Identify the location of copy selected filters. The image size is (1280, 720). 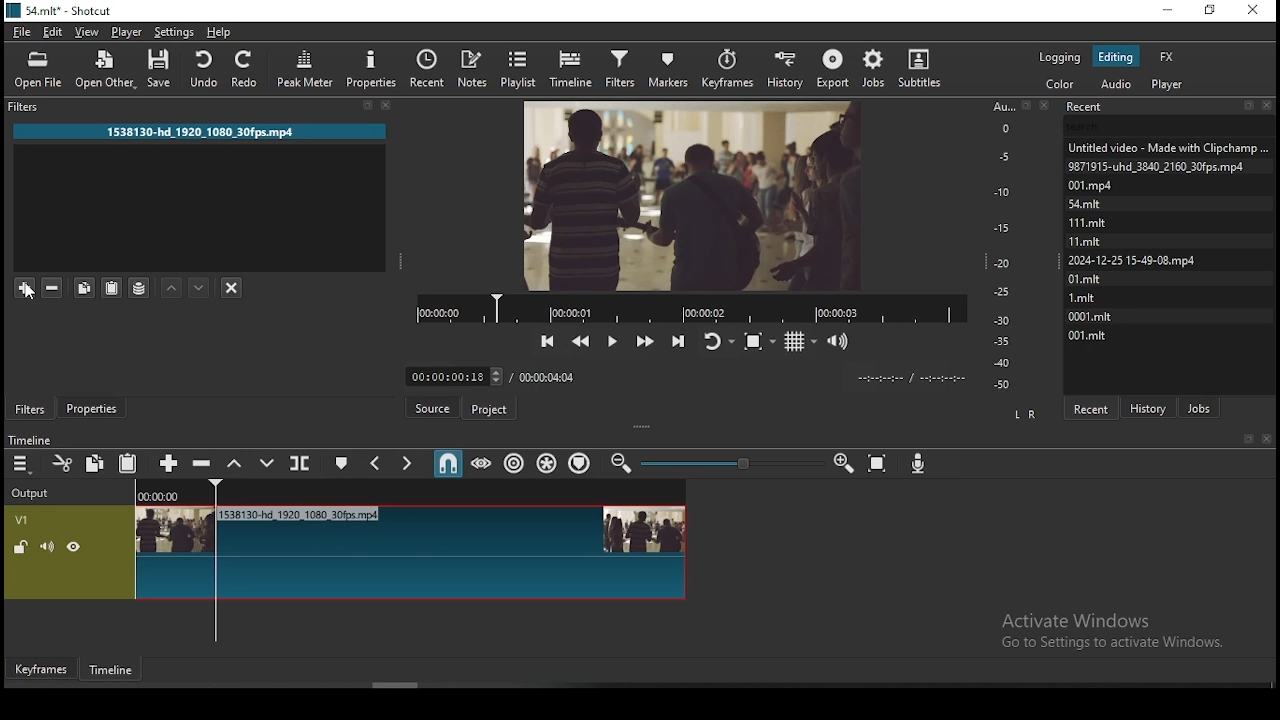
(86, 288).